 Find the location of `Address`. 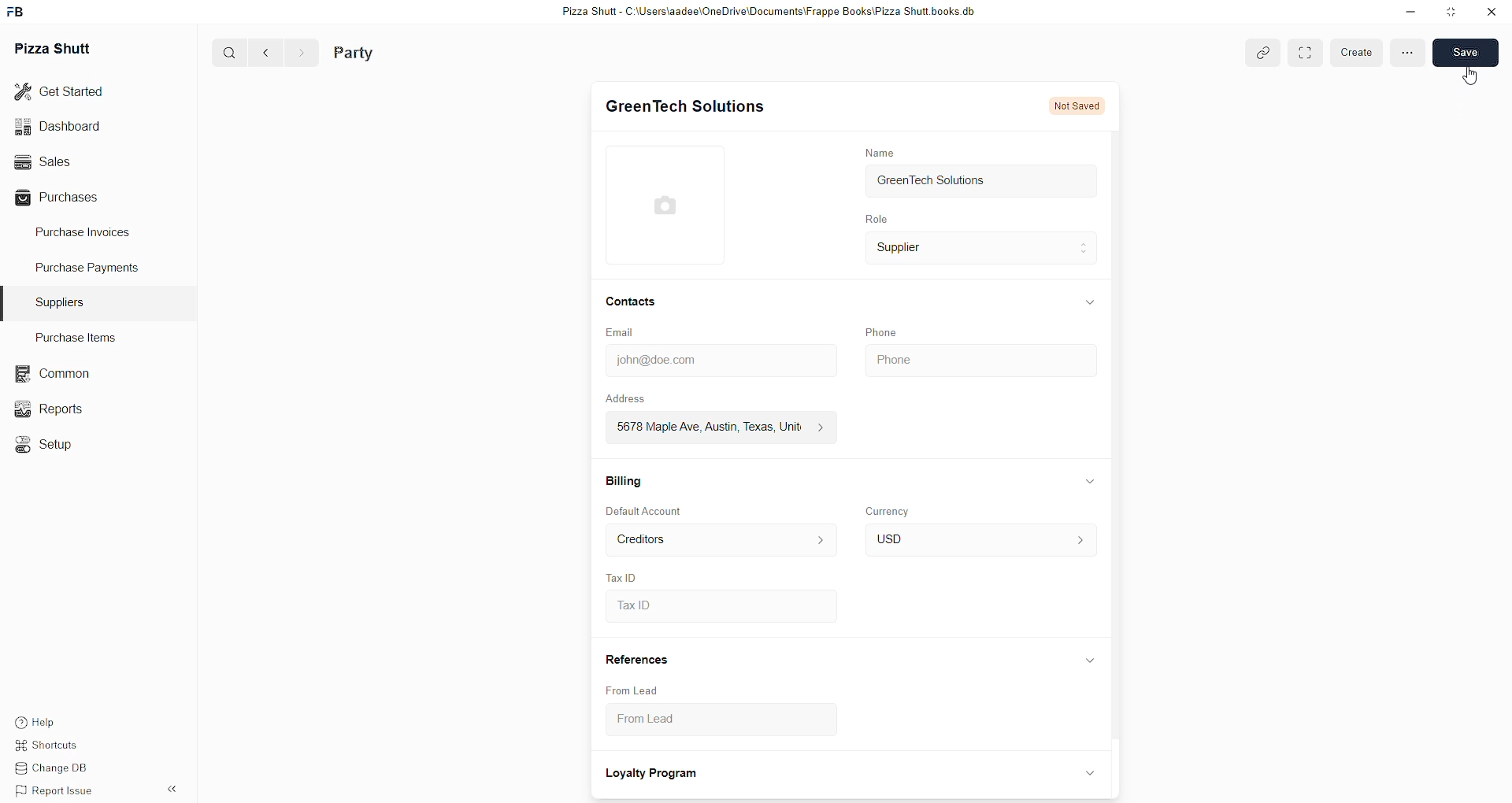

Address is located at coordinates (636, 398).